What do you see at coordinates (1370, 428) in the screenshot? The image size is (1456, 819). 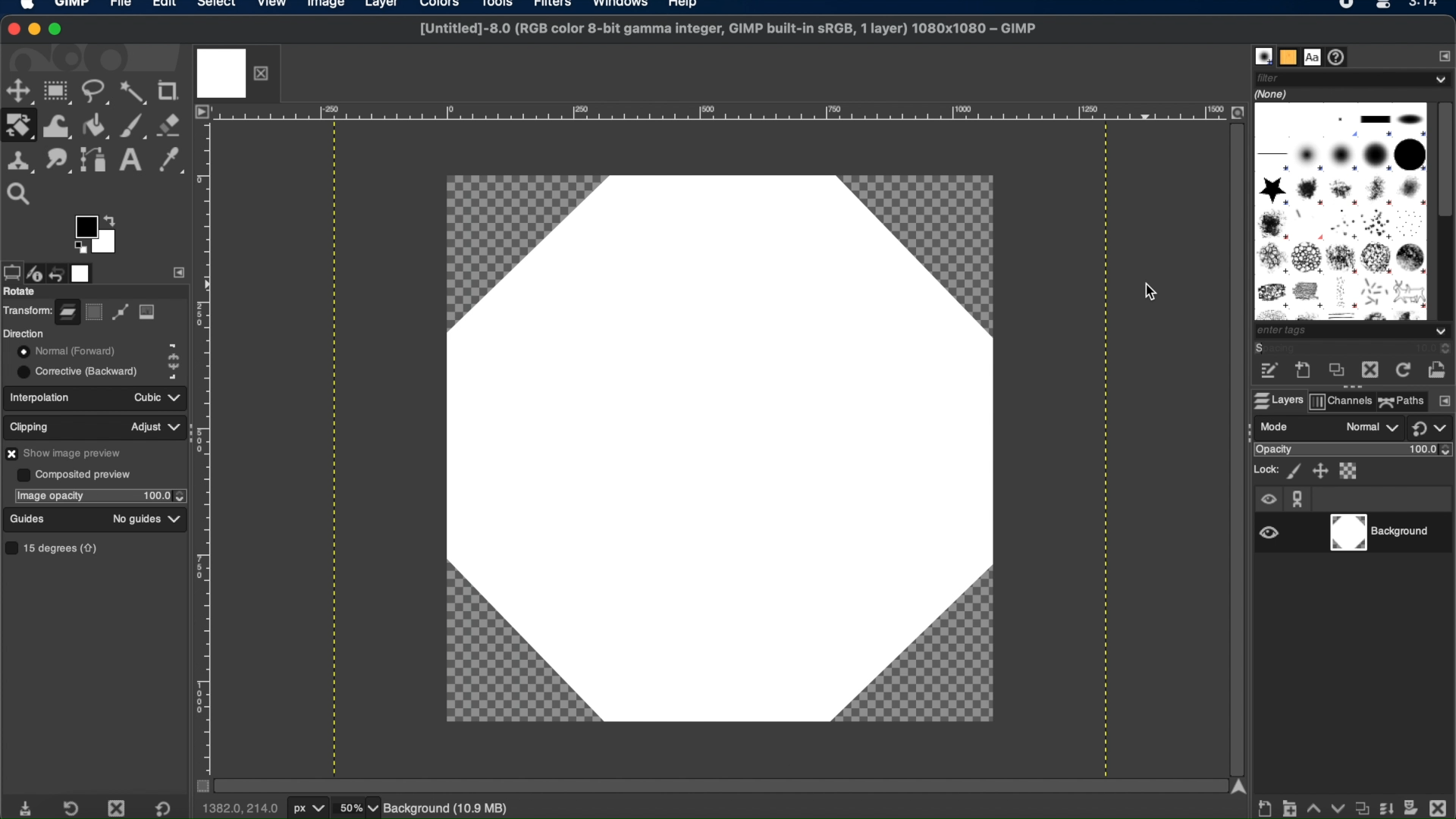 I see `normal drop down` at bounding box center [1370, 428].